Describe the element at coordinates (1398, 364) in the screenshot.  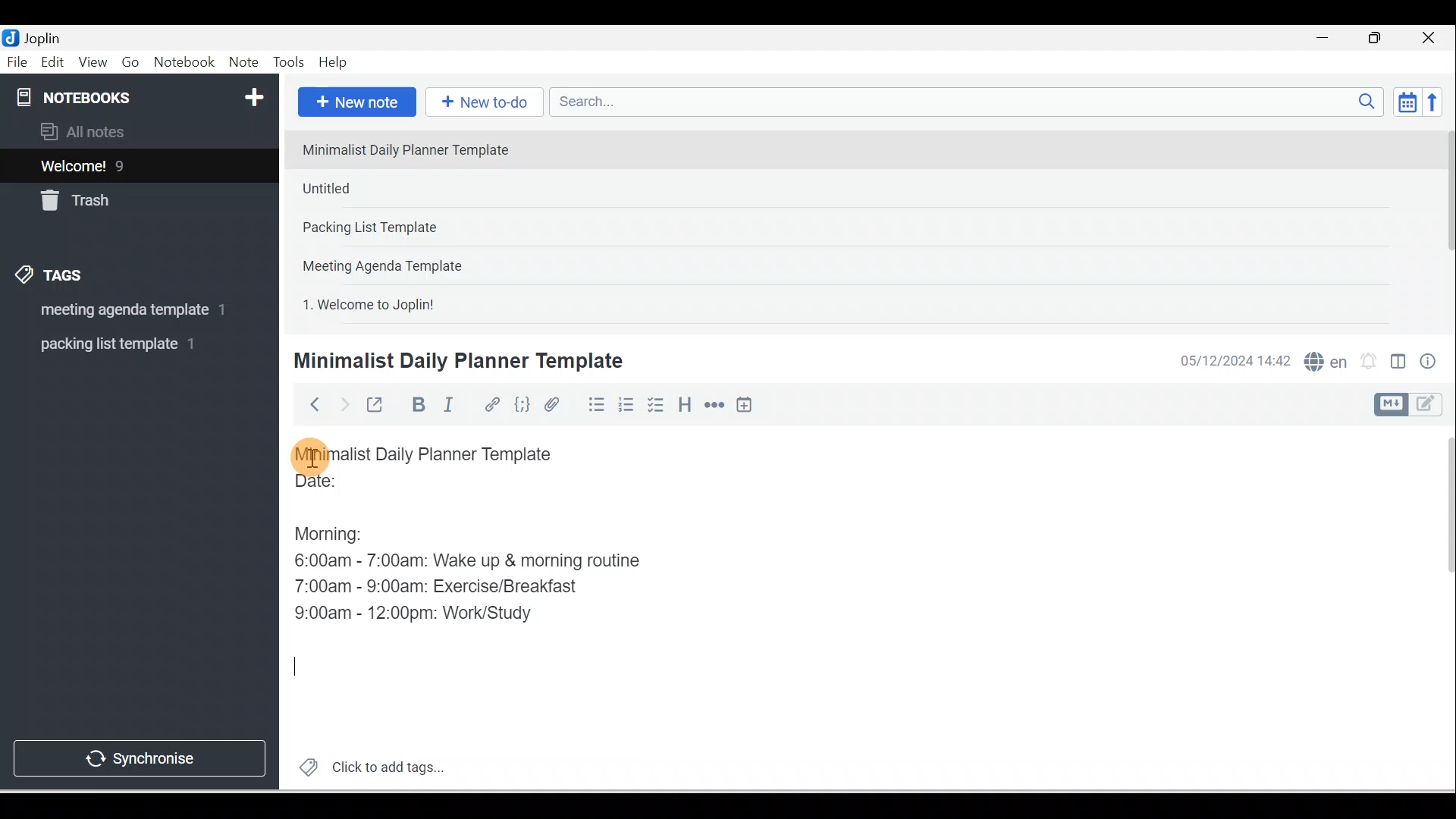
I see `Toggle editors` at that location.